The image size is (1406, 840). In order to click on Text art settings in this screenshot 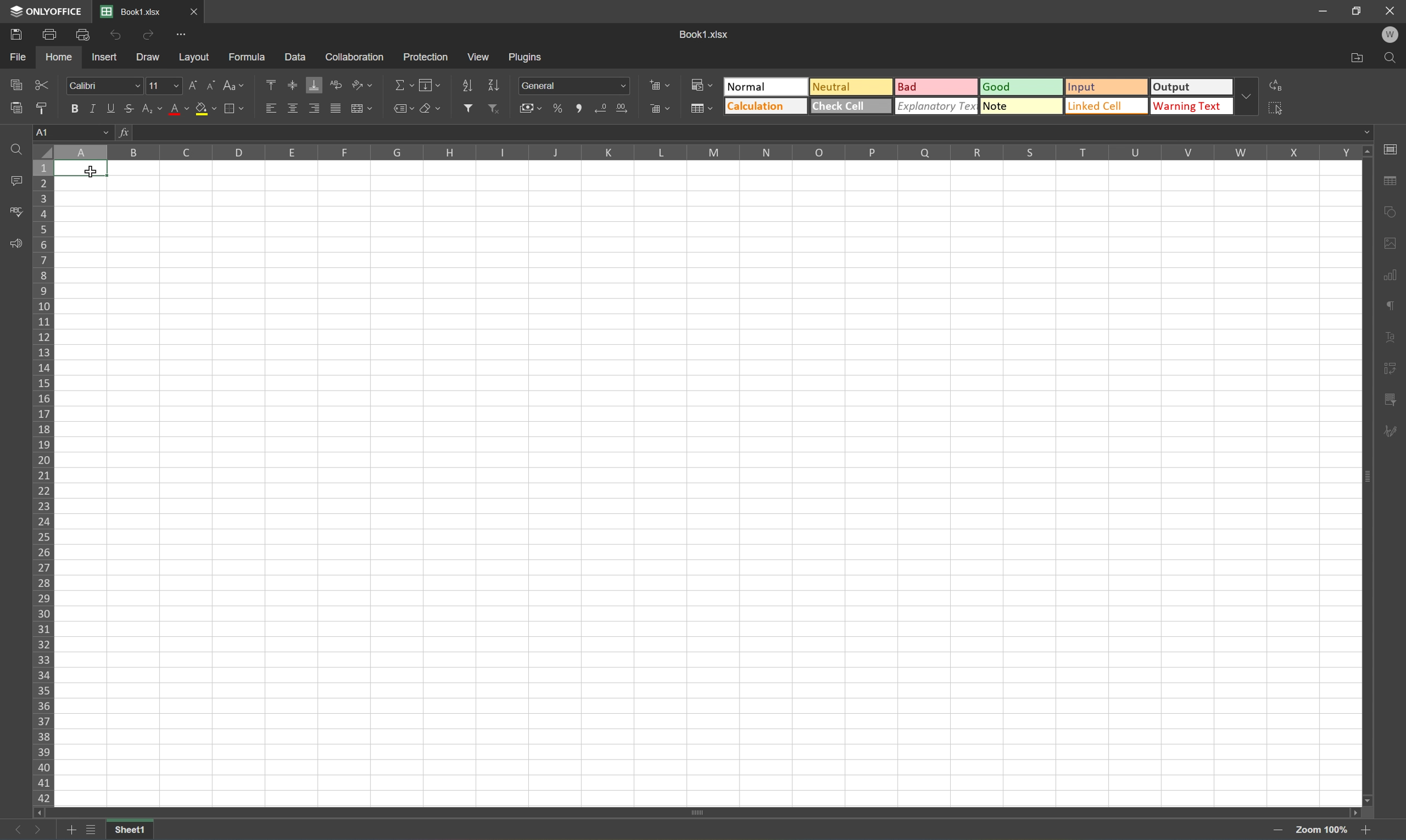, I will do `click(1390, 338)`.